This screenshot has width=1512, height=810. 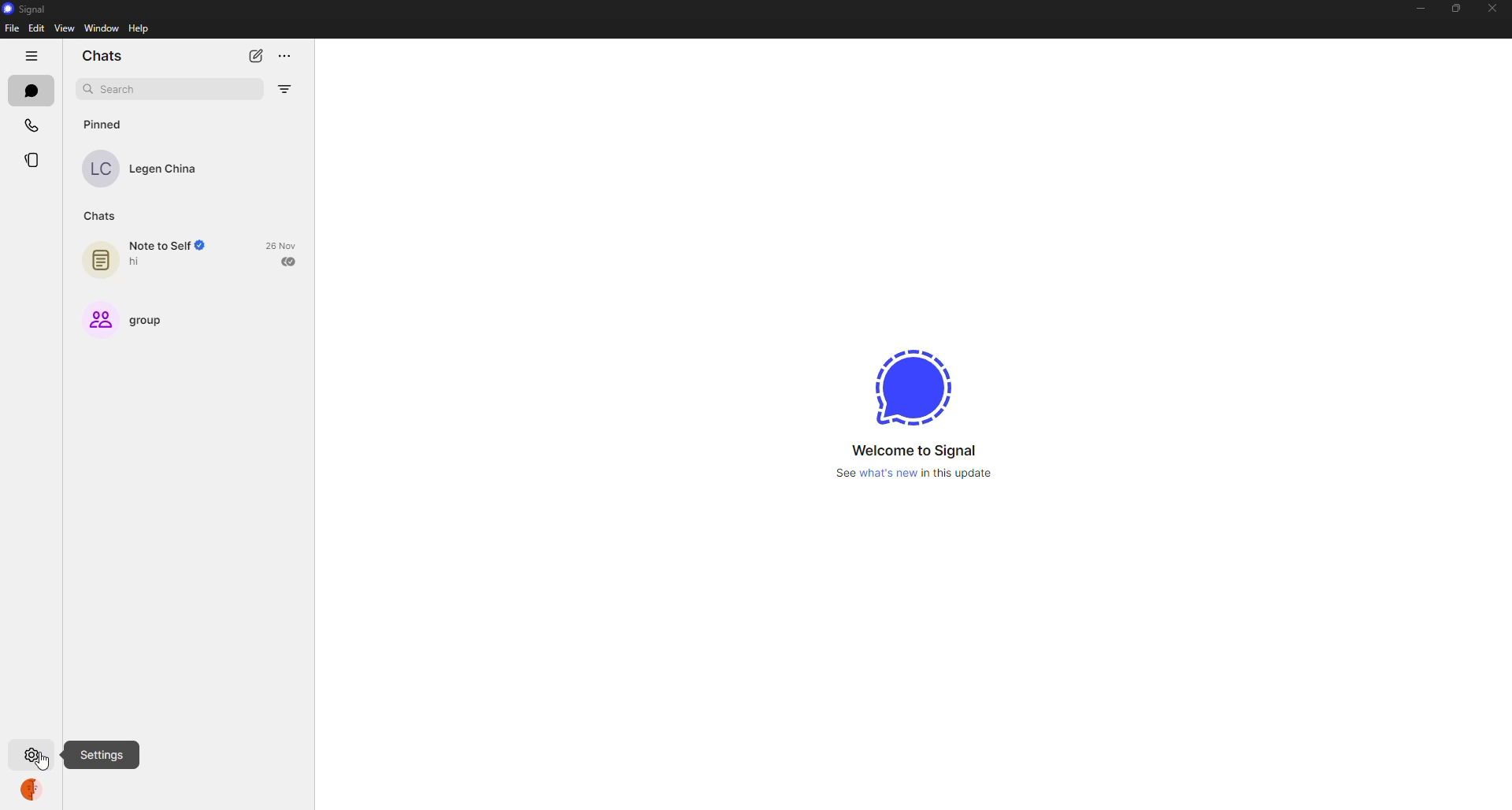 What do you see at coordinates (287, 86) in the screenshot?
I see `filter` at bounding box center [287, 86].